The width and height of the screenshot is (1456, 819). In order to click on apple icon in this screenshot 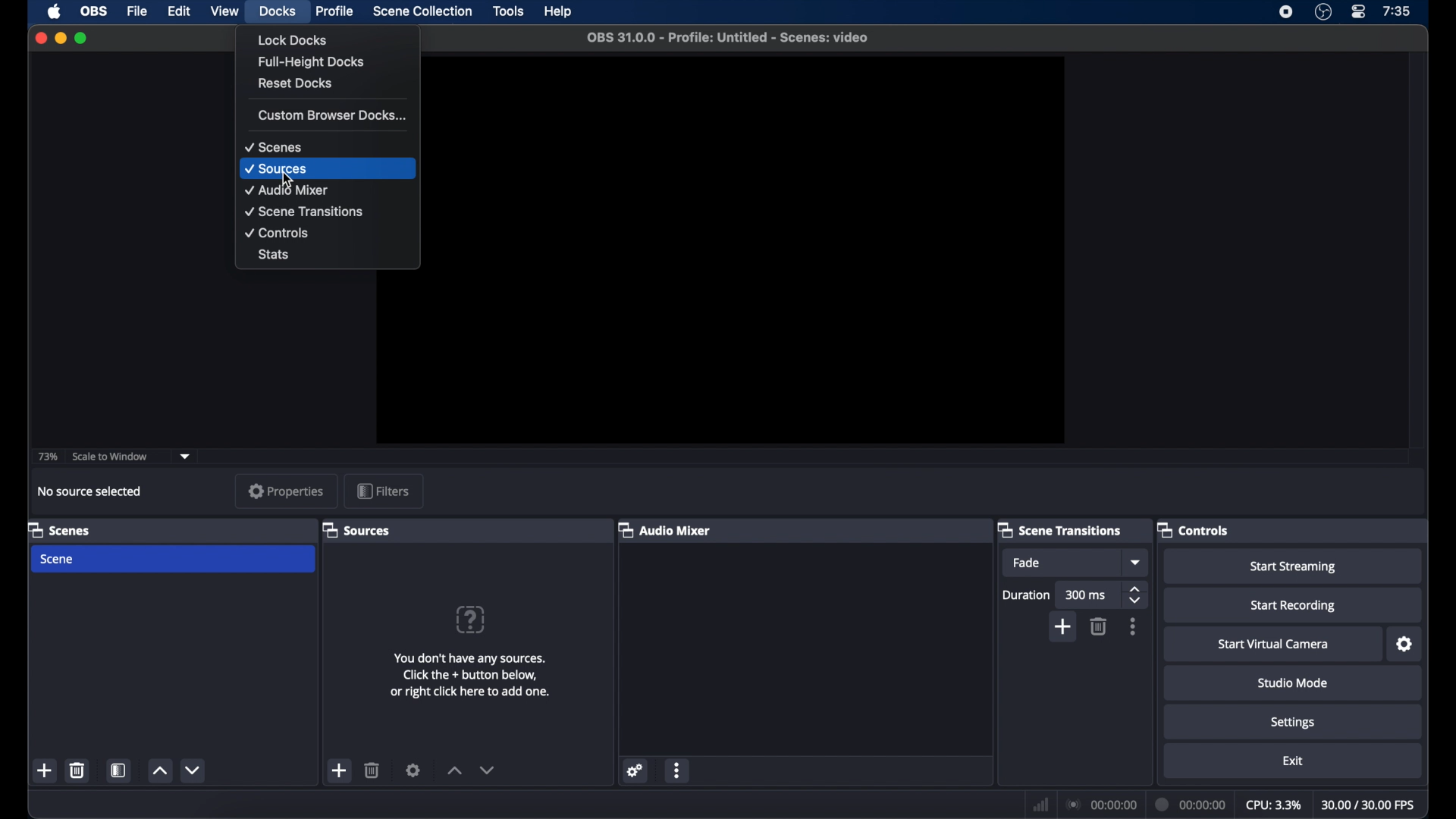, I will do `click(54, 11)`.